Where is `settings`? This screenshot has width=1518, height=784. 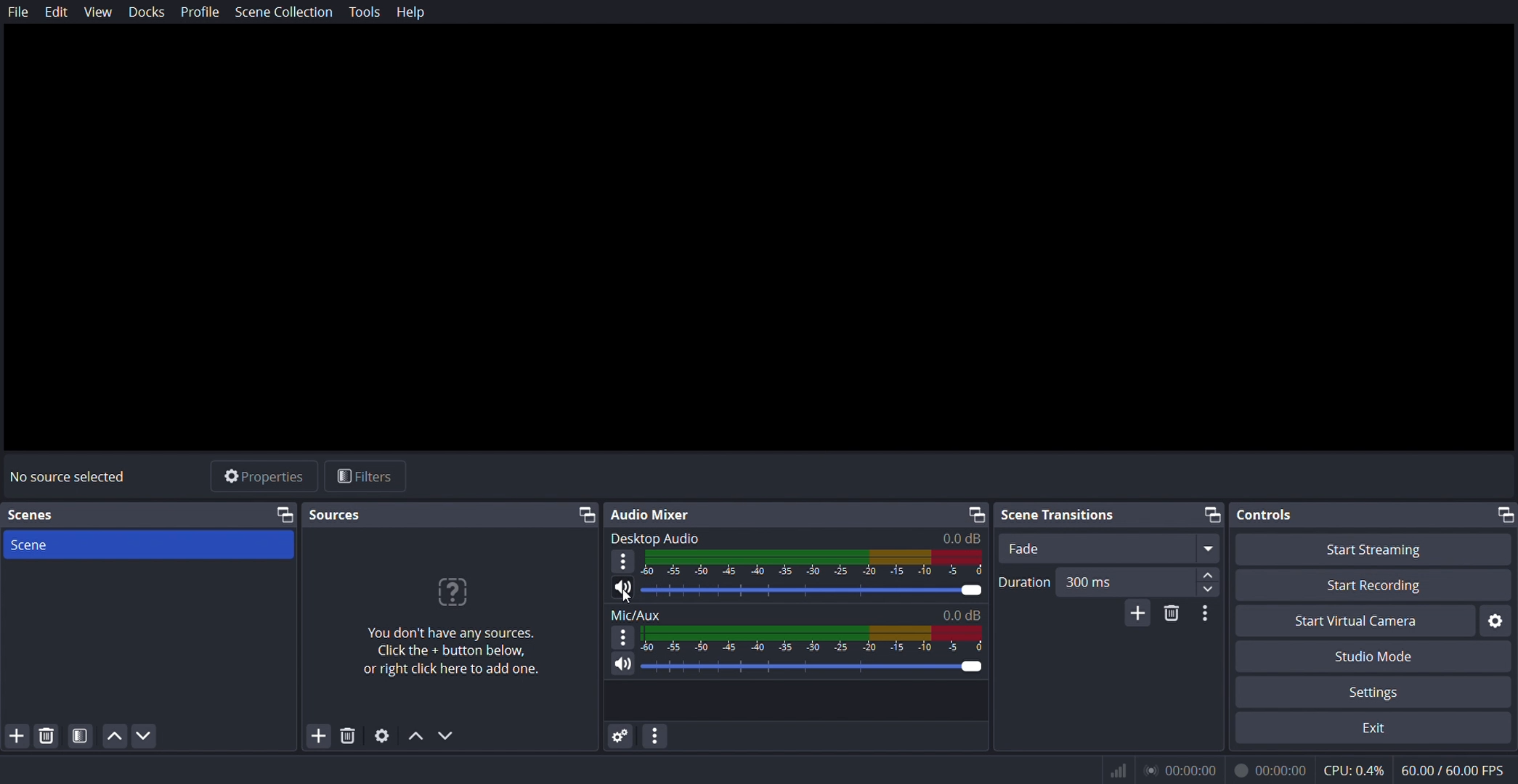
settings is located at coordinates (1360, 693).